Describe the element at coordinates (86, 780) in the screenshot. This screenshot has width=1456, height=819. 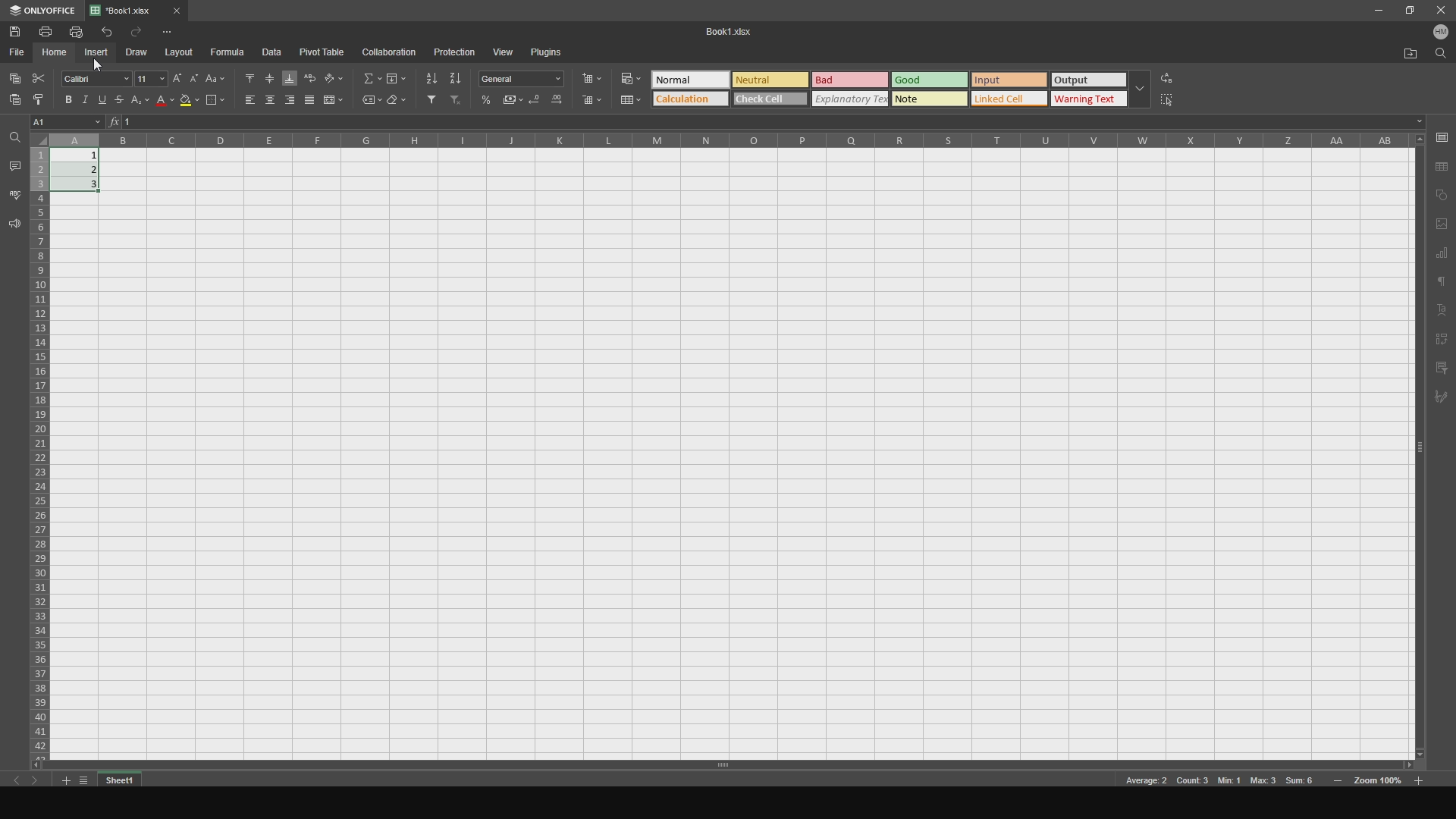
I see `list tabs` at that location.